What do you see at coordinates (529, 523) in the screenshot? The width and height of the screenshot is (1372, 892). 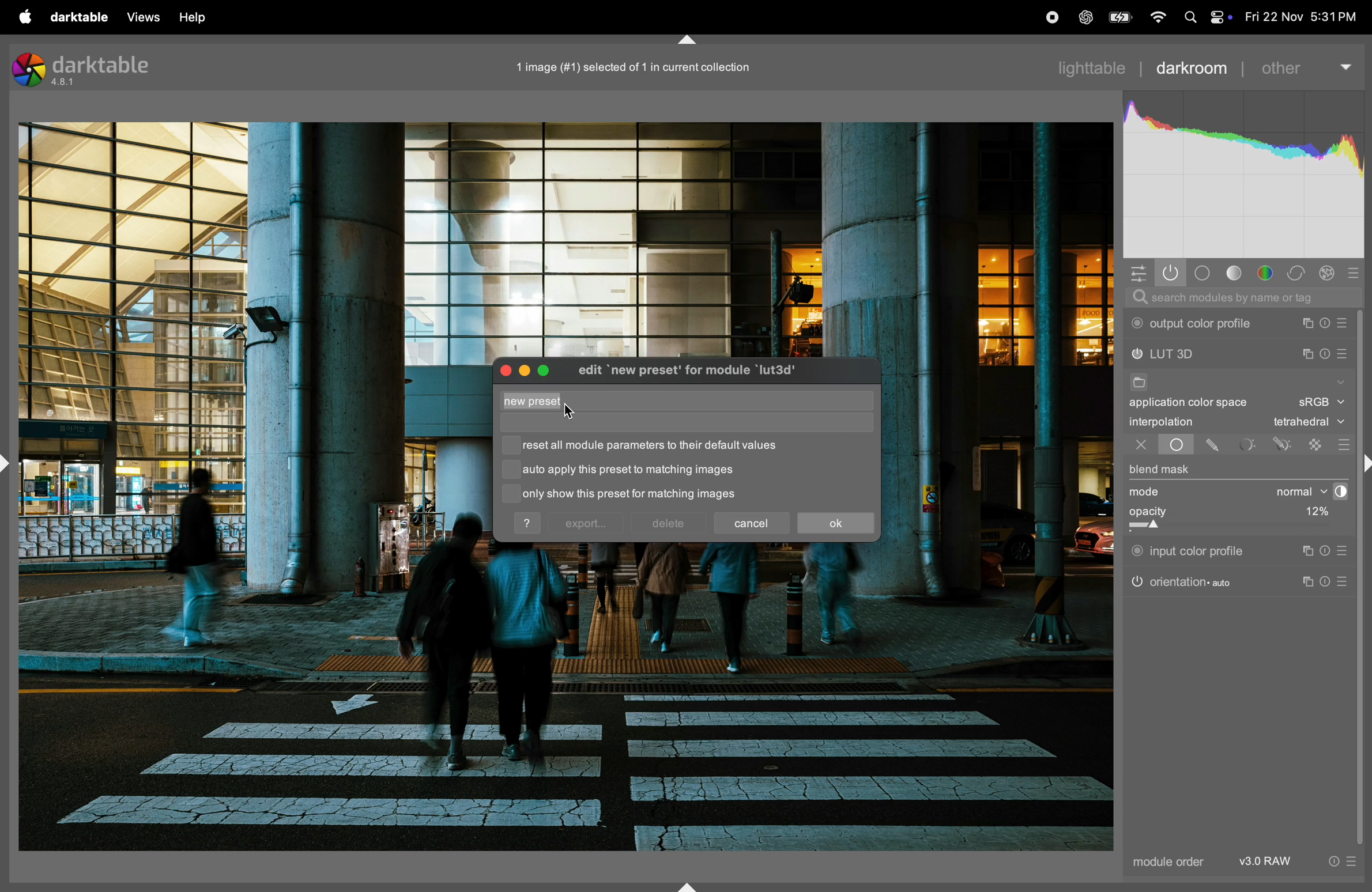 I see `help` at bounding box center [529, 523].